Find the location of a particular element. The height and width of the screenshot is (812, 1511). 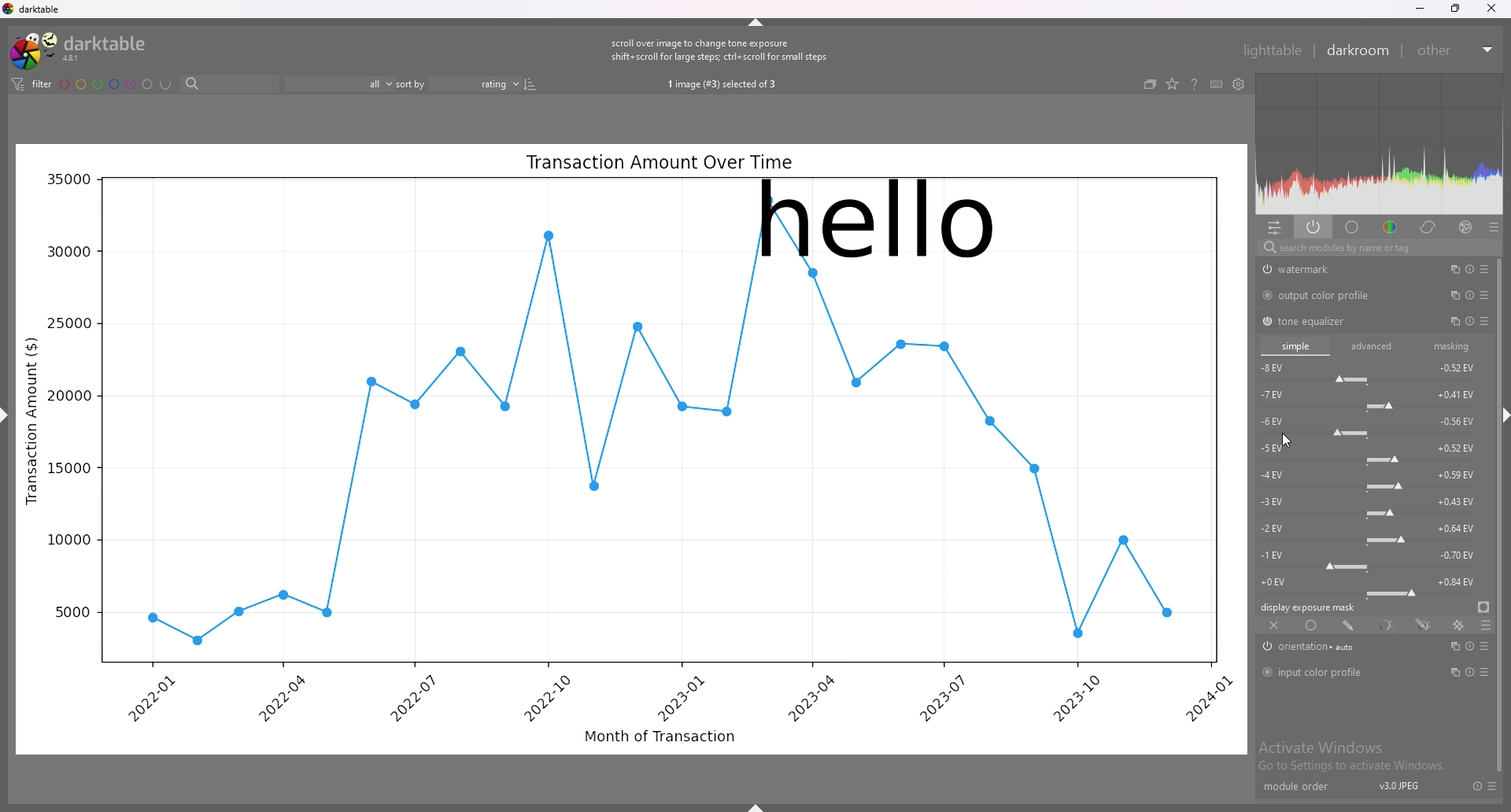

filter by images rating is located at coordinates (338, 85).